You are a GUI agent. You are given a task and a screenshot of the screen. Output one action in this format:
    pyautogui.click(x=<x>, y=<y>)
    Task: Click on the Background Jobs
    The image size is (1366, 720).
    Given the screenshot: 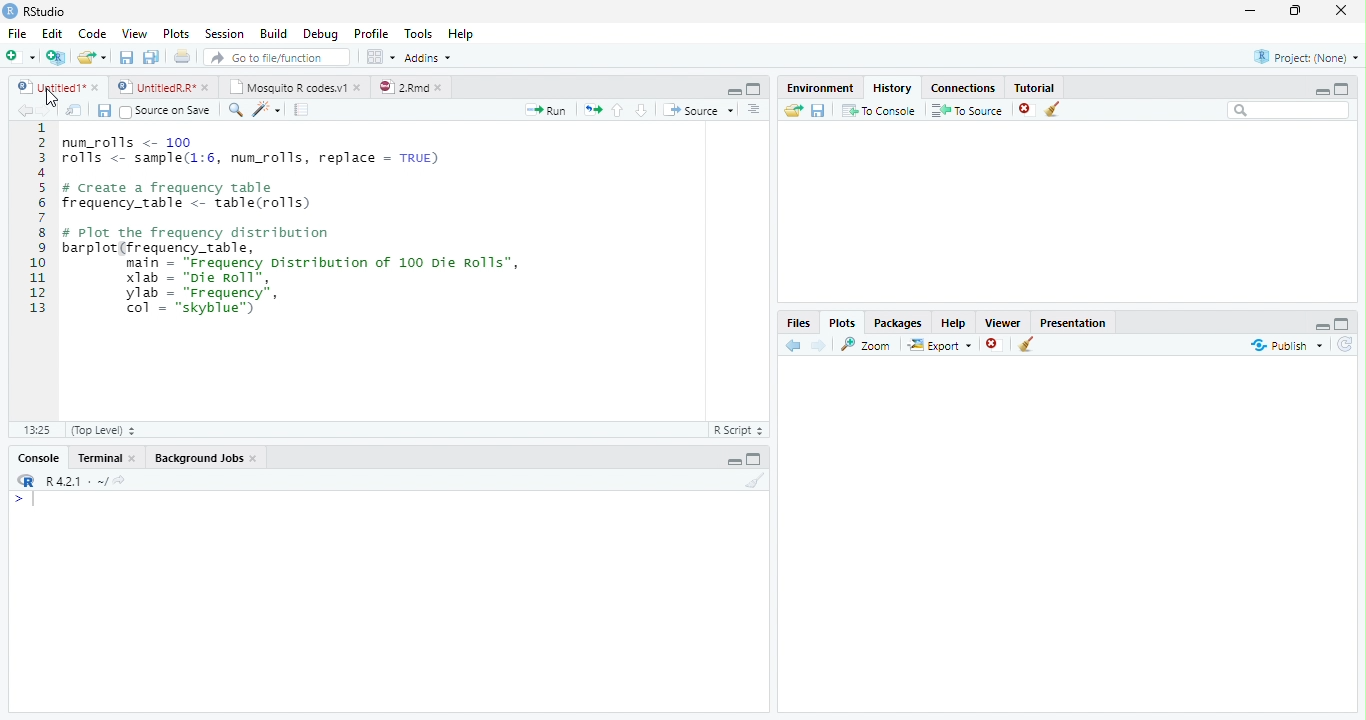 What is the action you would take?
    pyautogui.click(x=207, y=456)
    